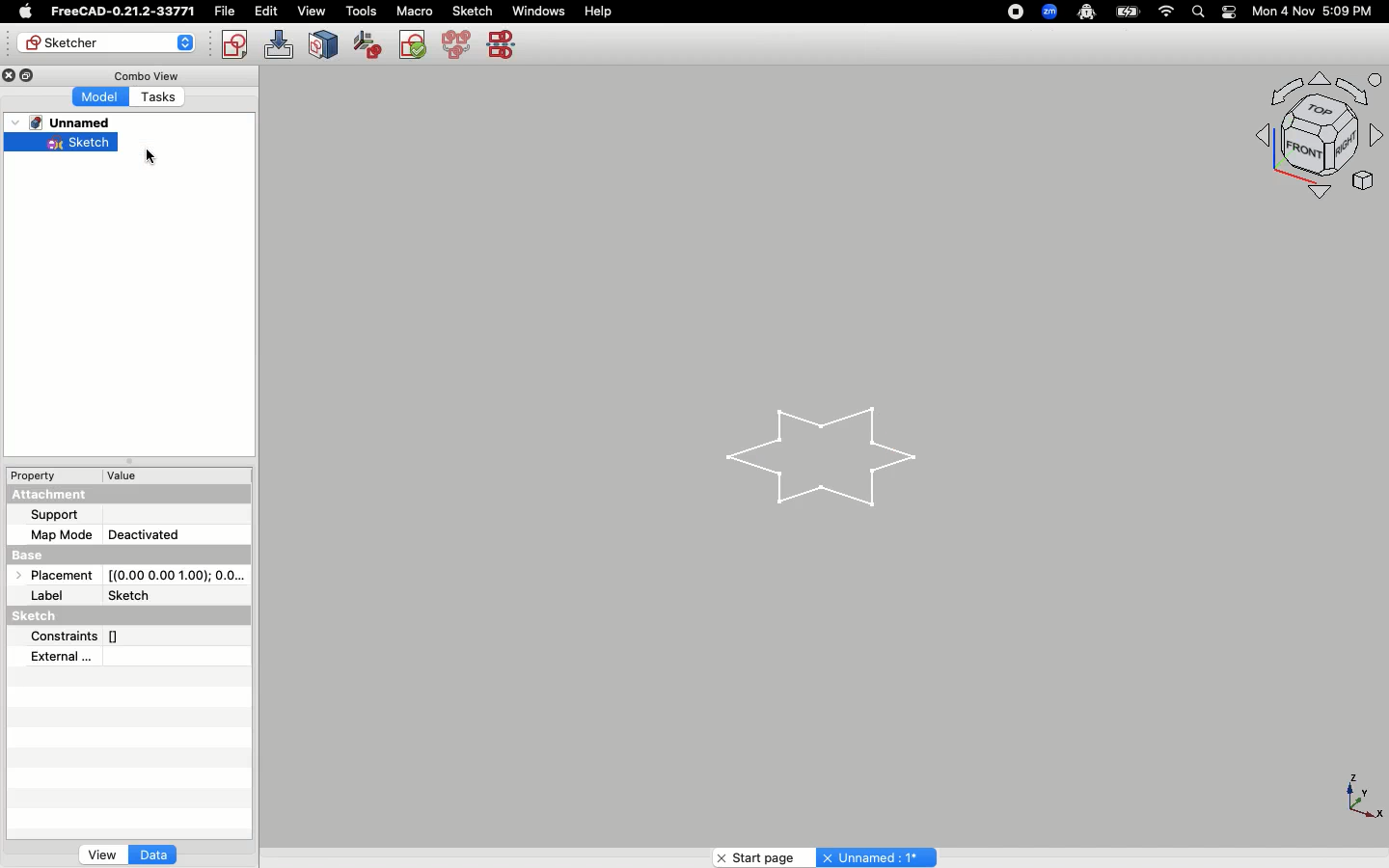 The height and width of the screenshot is (868, 1389). I want to click on Constraints, so click(79, 637).